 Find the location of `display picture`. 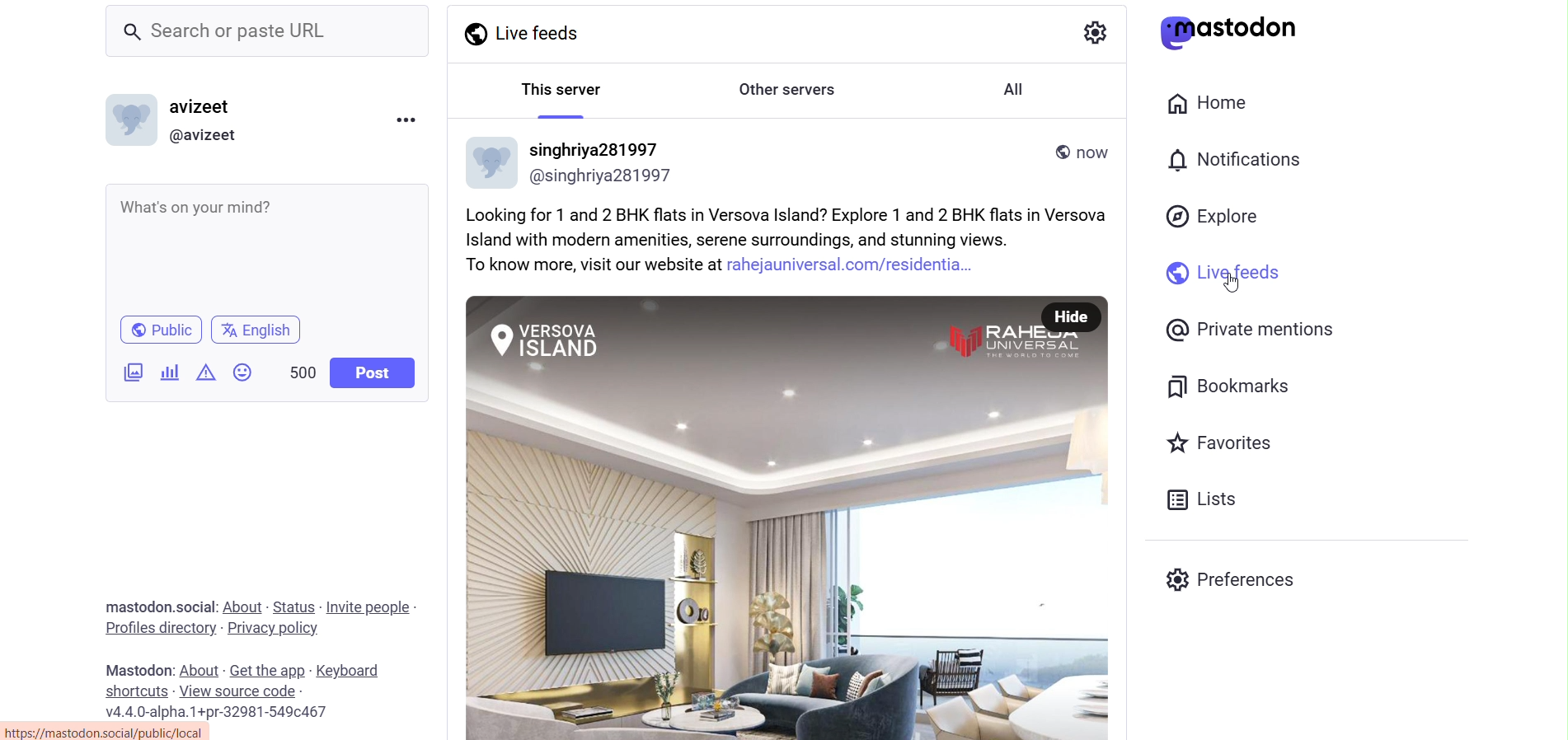

display picture is located at coordinates (131, 120).